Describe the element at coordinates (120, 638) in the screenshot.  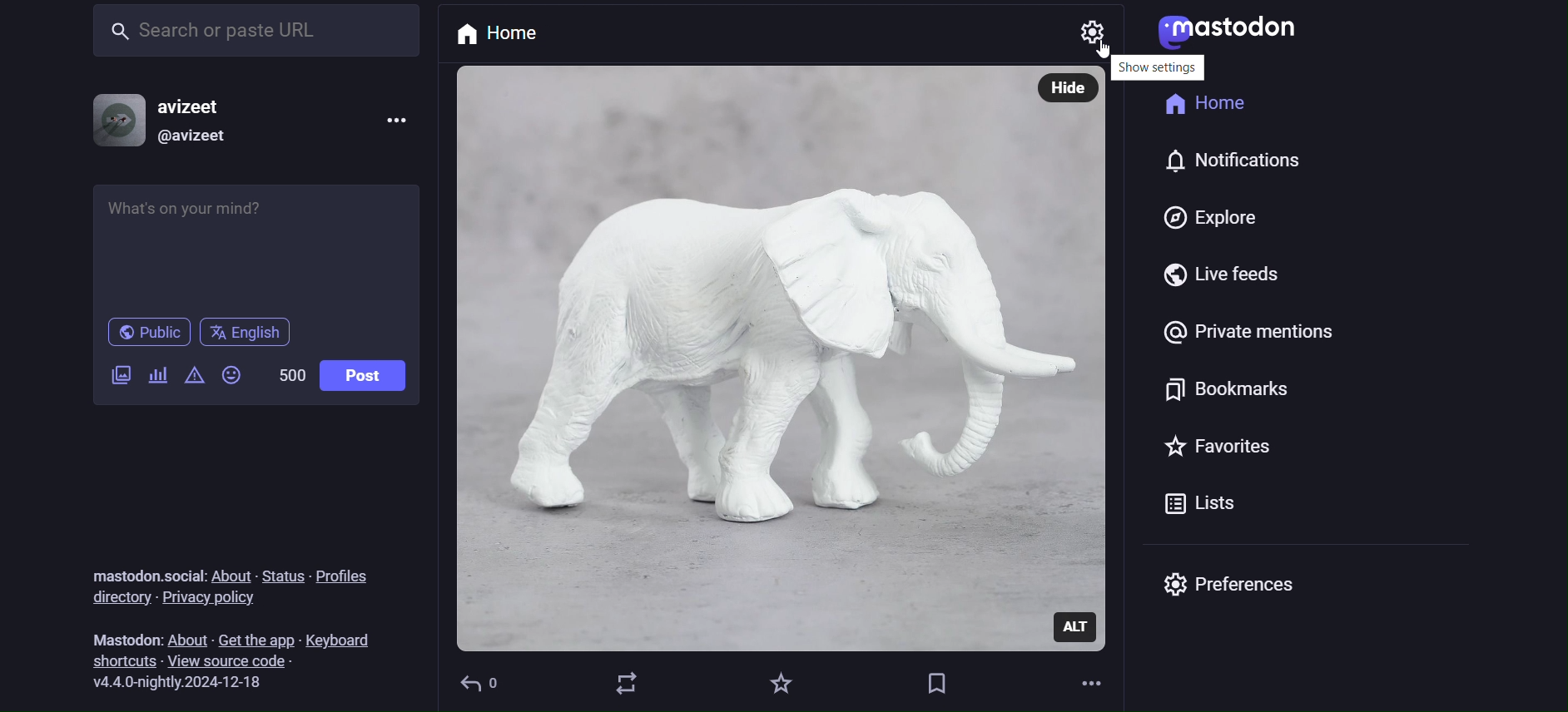
I see `Mastodor` at that location.